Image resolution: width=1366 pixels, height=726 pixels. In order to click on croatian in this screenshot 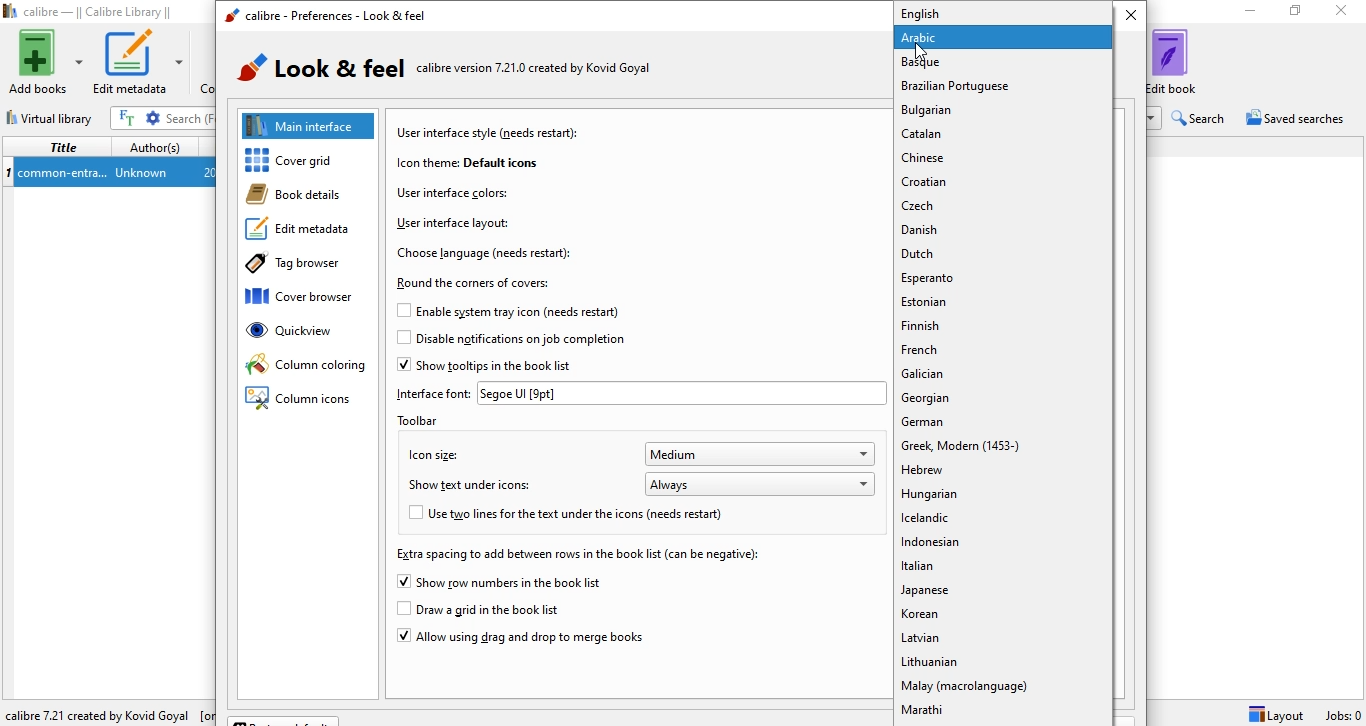, I will do `click(1006, 182)`.